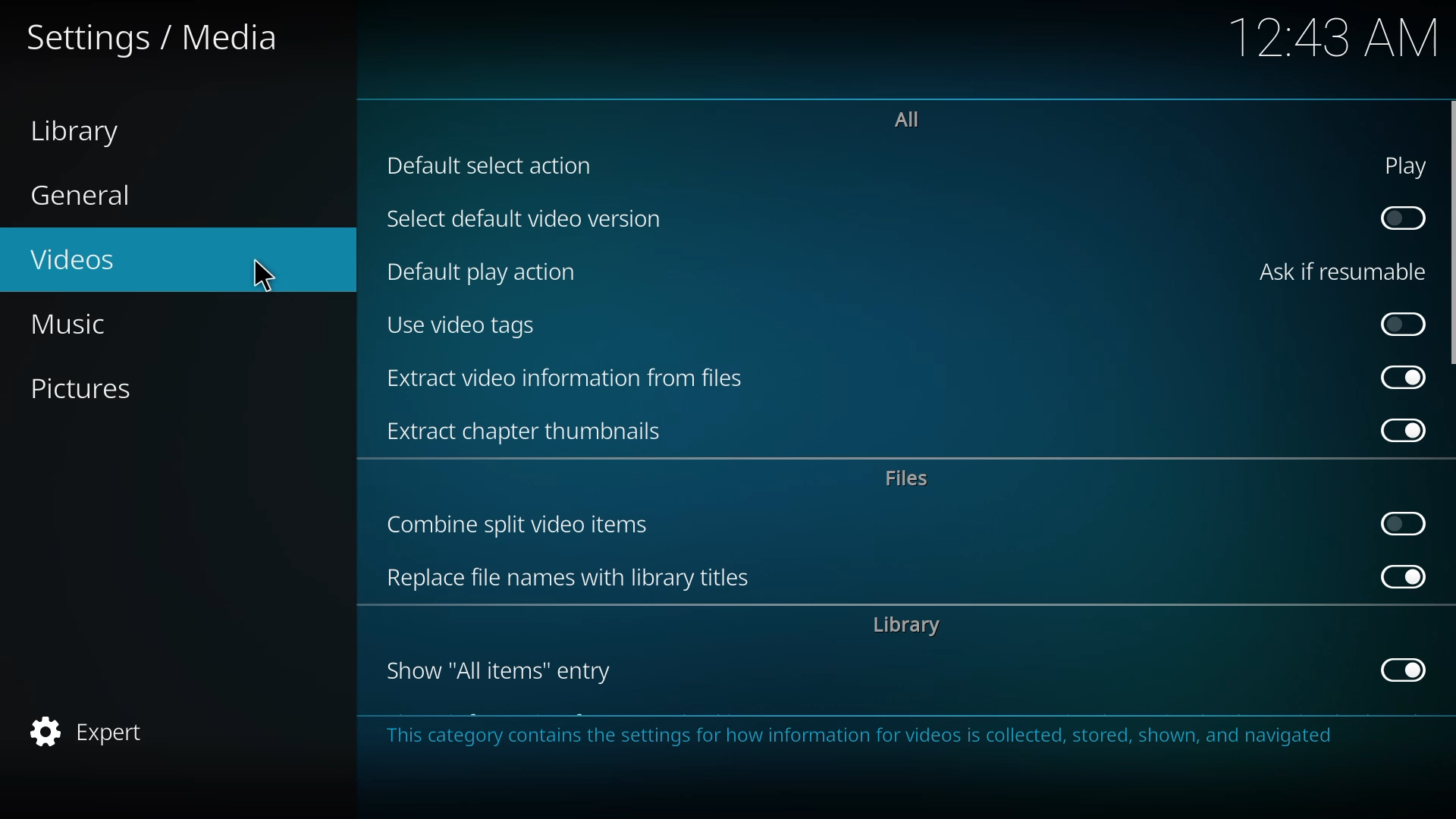 This screenshot has height=819, width=1456. Describe the element at coordinates (570, 382) in the screenshot. I see `extract video info from files` at that location.